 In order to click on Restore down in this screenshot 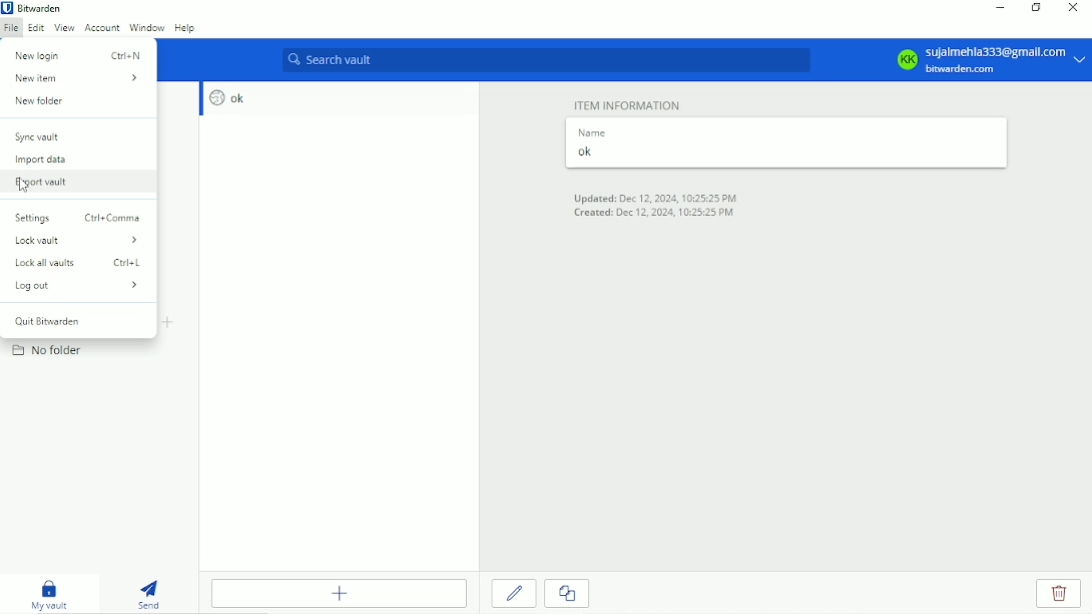, I will do `click(1036, 7)`.